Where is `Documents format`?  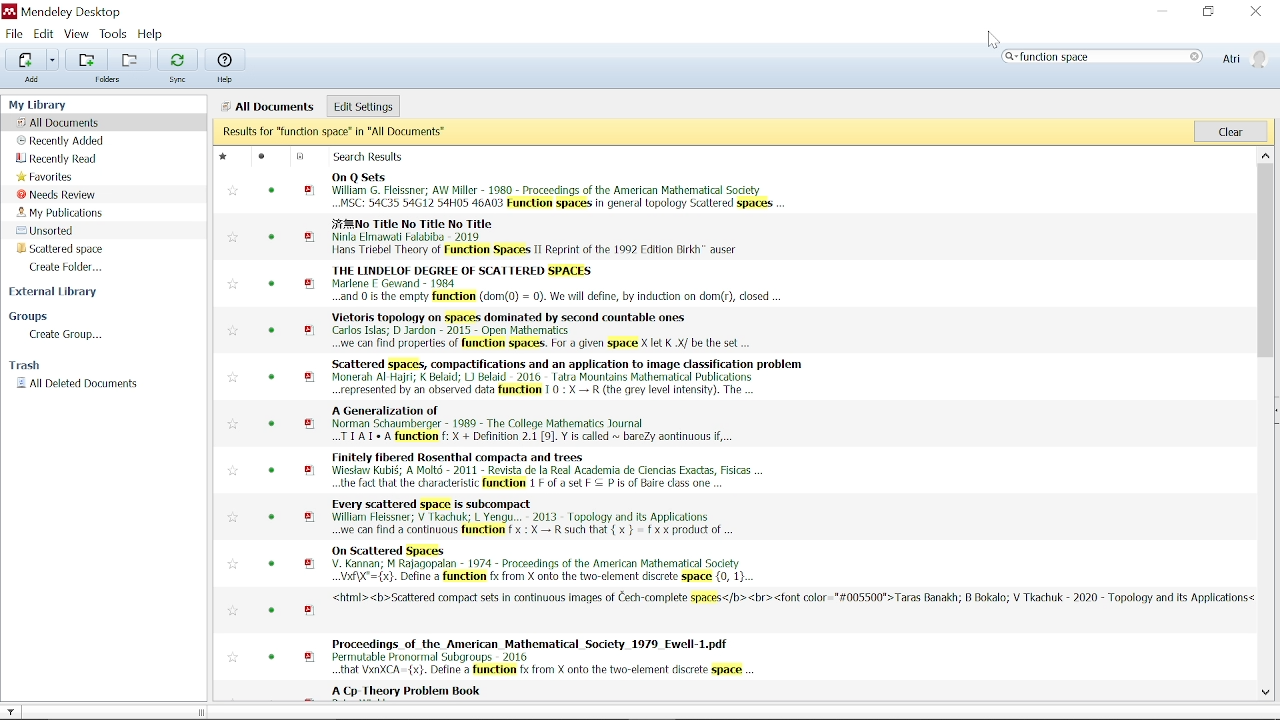
Documents format is located at coordinates (301, 156).